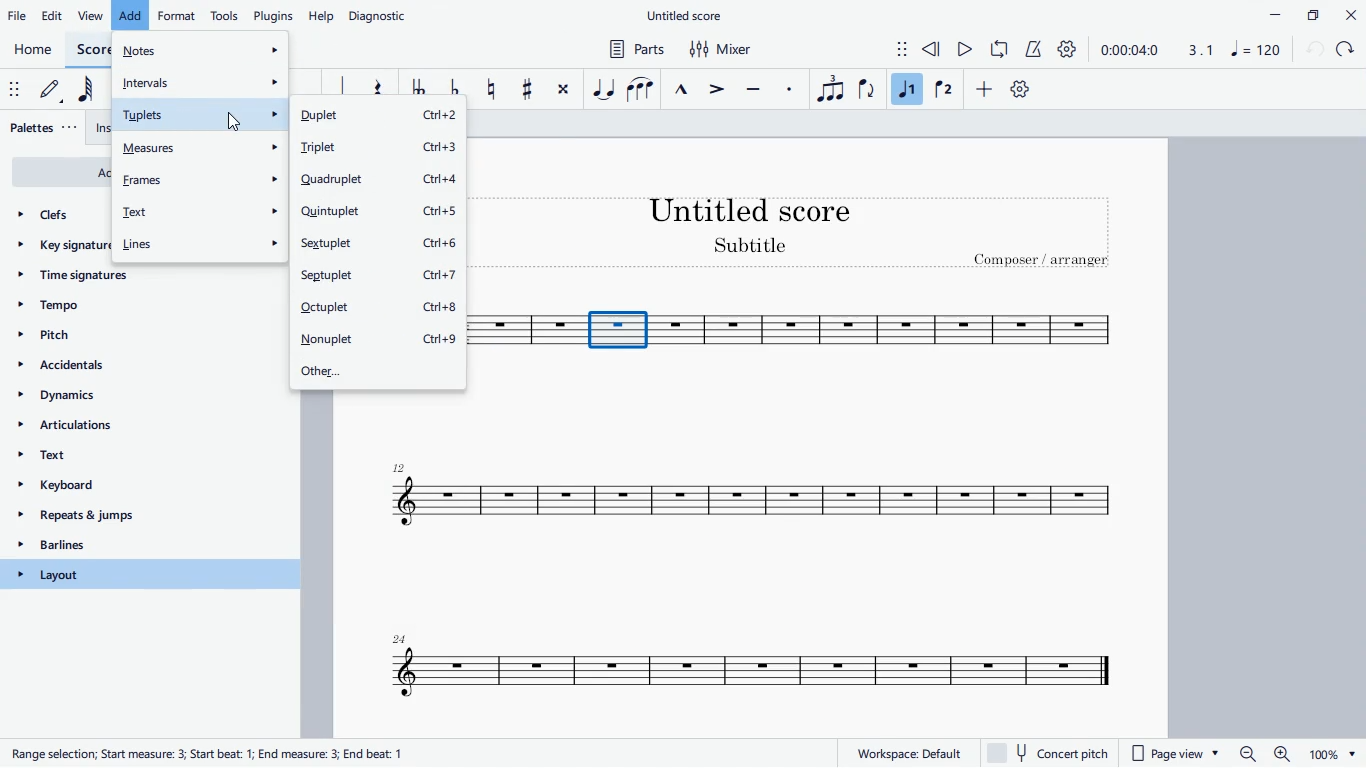 The height and width of the screenshot is (768, 1366). What do you see at coordinates (1314, 50) in the screenshot?
I see `back` at bounding box center [1314, 50].